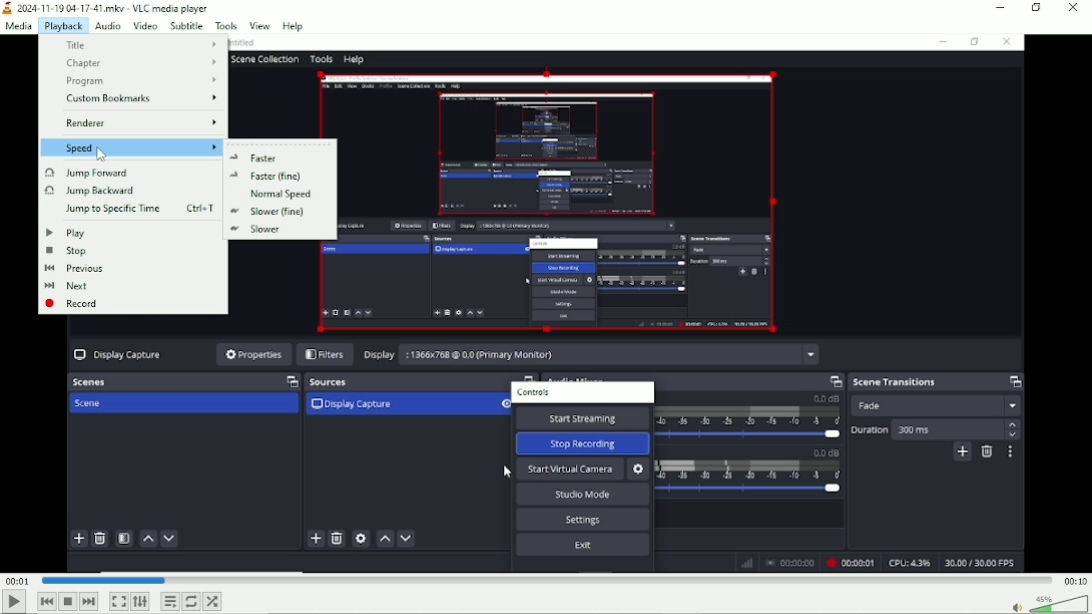 Image resolution: width=1092 pixels, height=614 pixels. I want to click on Play duration, so click(544, 581).